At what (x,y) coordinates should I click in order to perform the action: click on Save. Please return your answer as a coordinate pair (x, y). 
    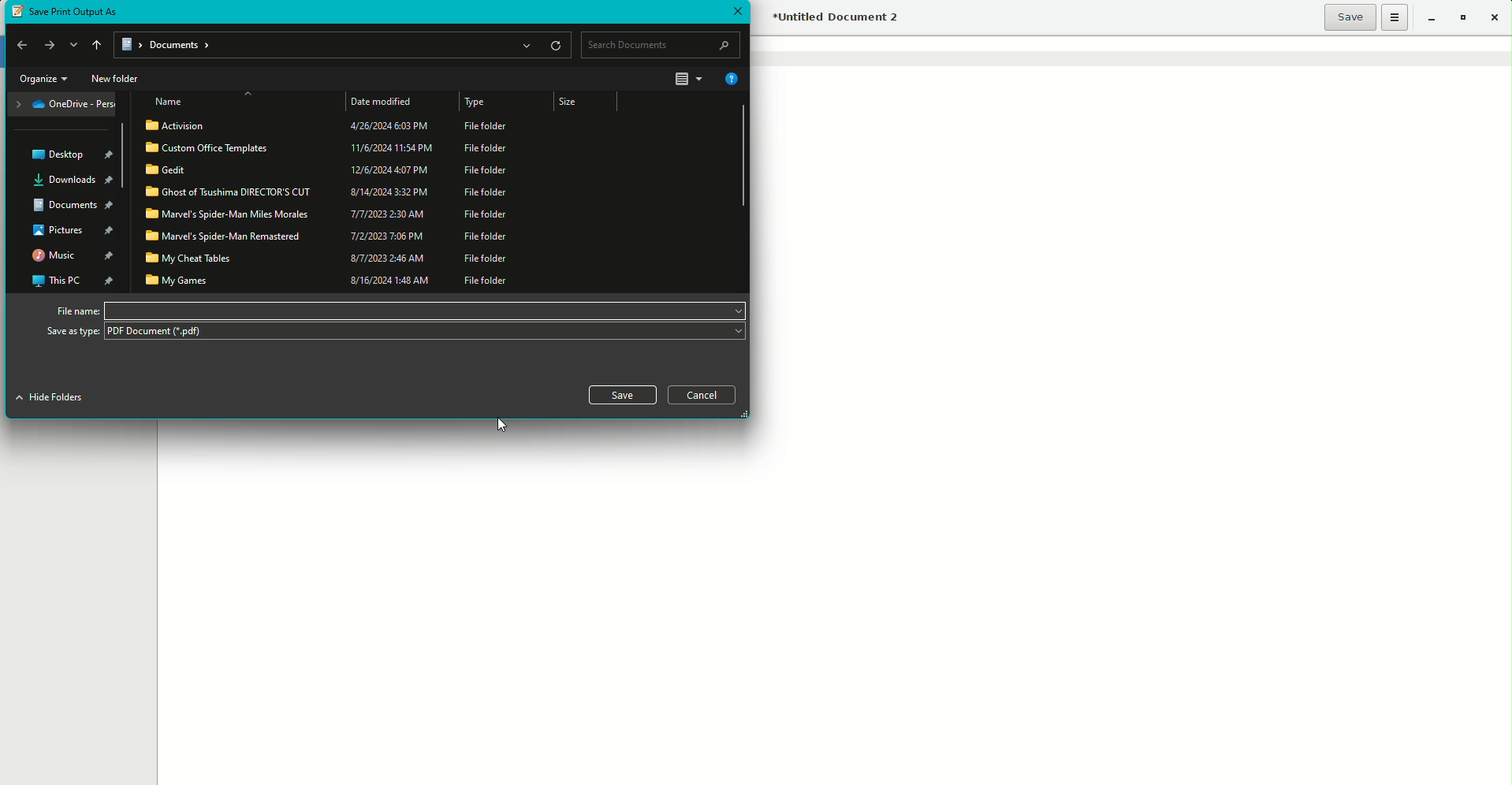
    Looking at the image, I should click on (1350, 17).